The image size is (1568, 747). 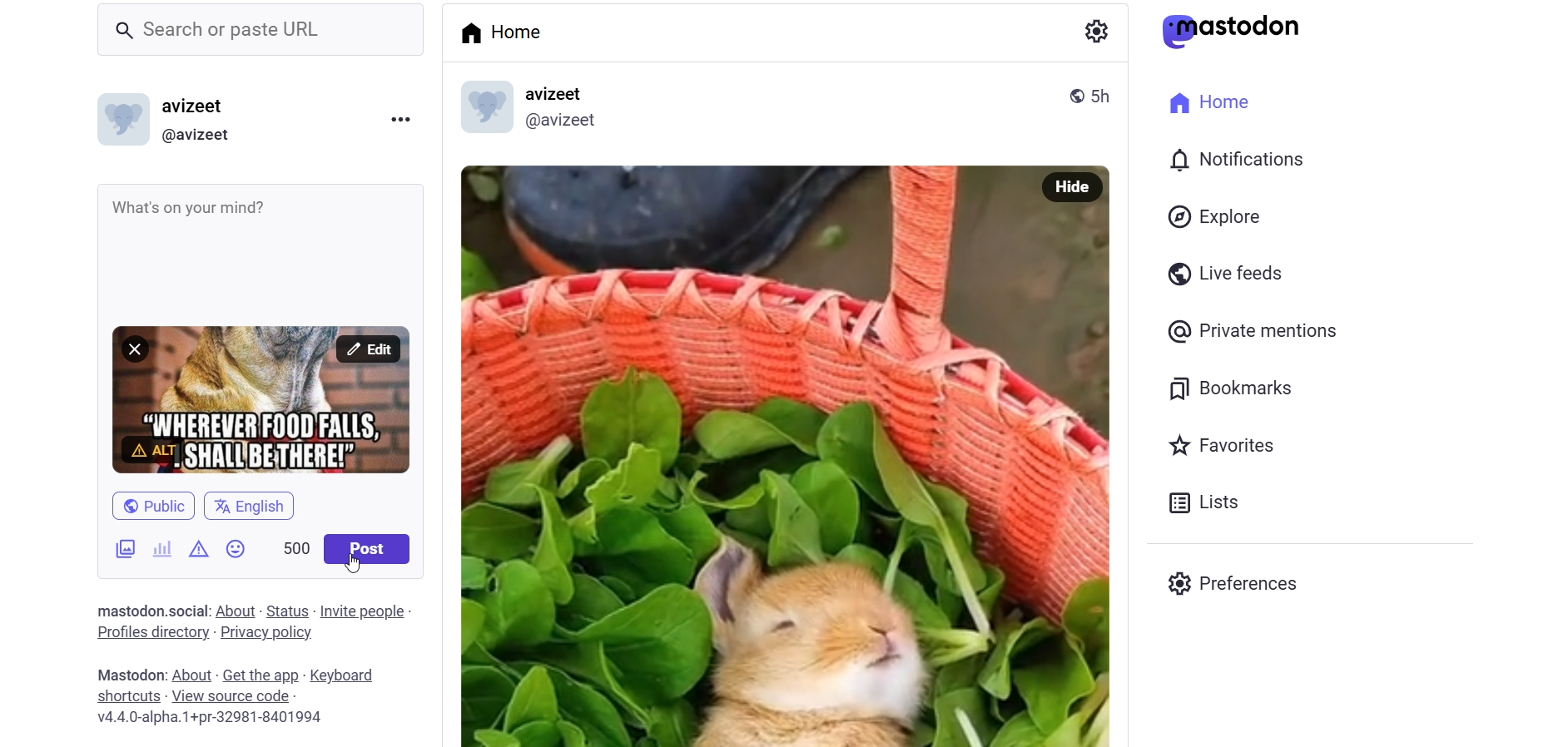 What do you see at coordinates (120, 119) in the screenshot?
I see `display picture` at bounding box center [120, 119].